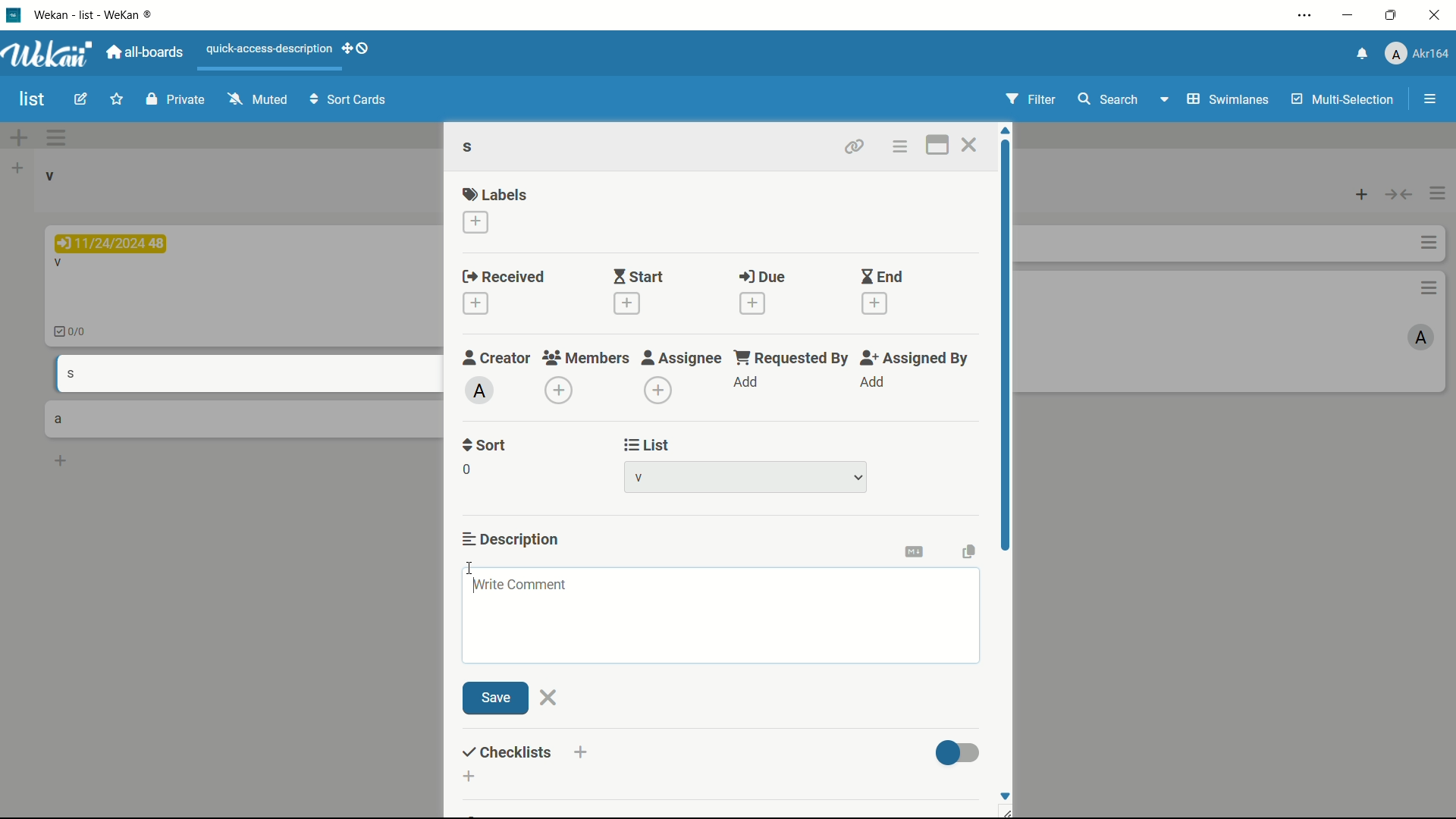 This screenshot has height=819, width=1456. What do you see at coordinates (350, 101) in the screenshot?
I see `sort cards` at bounding box center [350, 101].